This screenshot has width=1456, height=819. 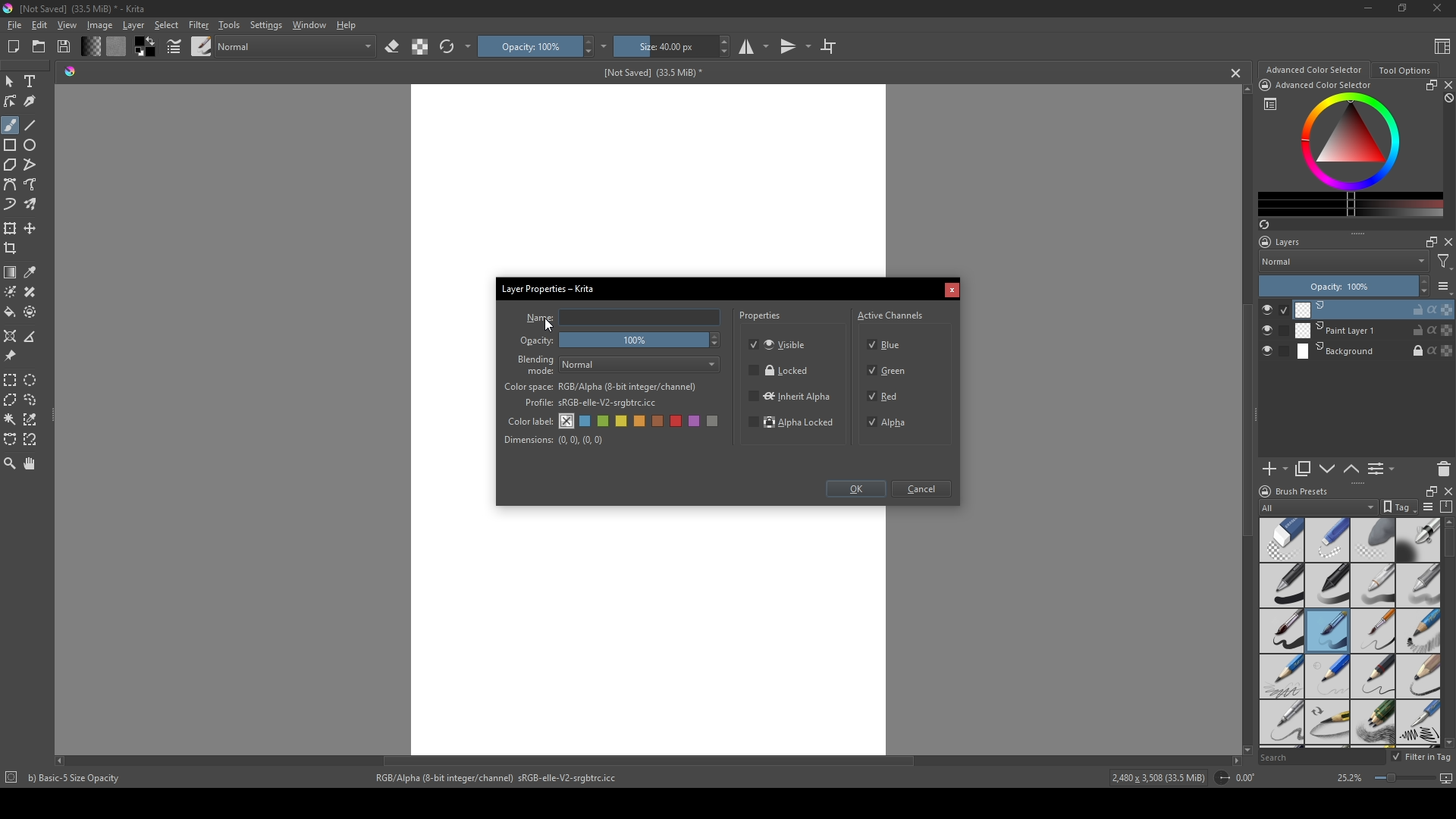 What do you see at coordinates (952, 291) in the screenshot?
I see `Cancel` at bounding box center [952, 291].